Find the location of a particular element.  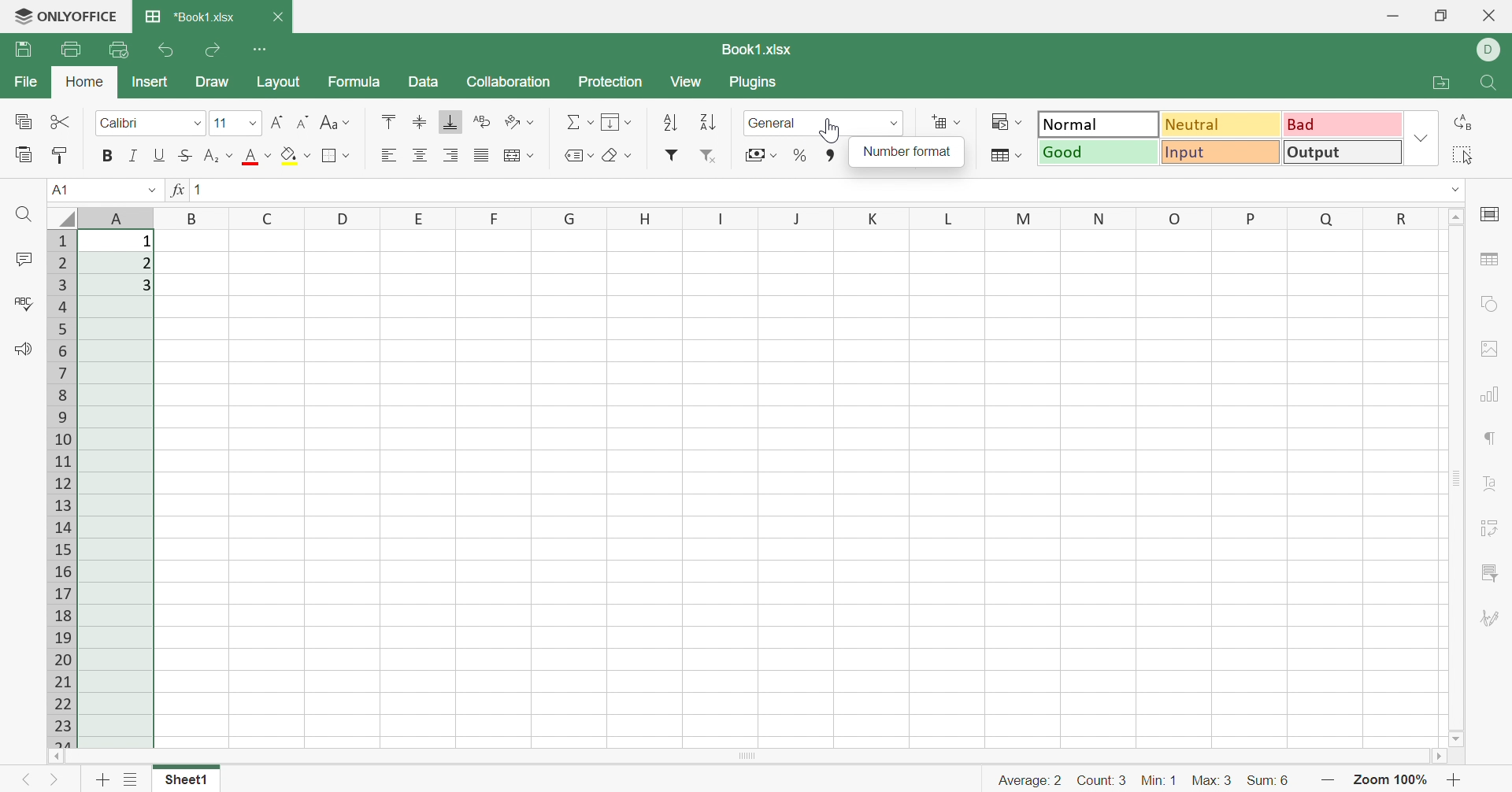

Min: 1 is located at coordinates (1158, 781).